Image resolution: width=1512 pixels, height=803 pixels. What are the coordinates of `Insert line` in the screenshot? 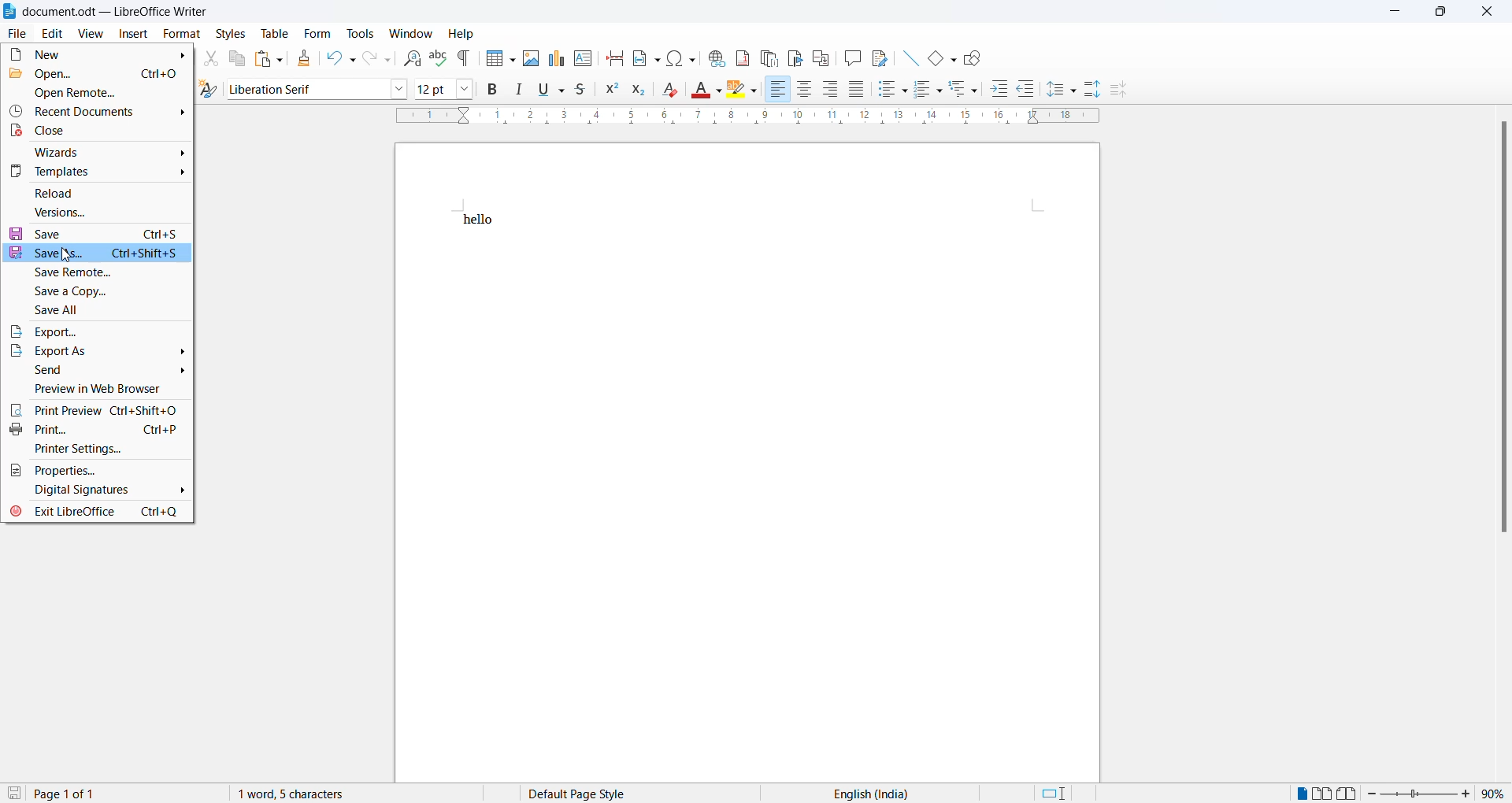 It's located at (910, 59).